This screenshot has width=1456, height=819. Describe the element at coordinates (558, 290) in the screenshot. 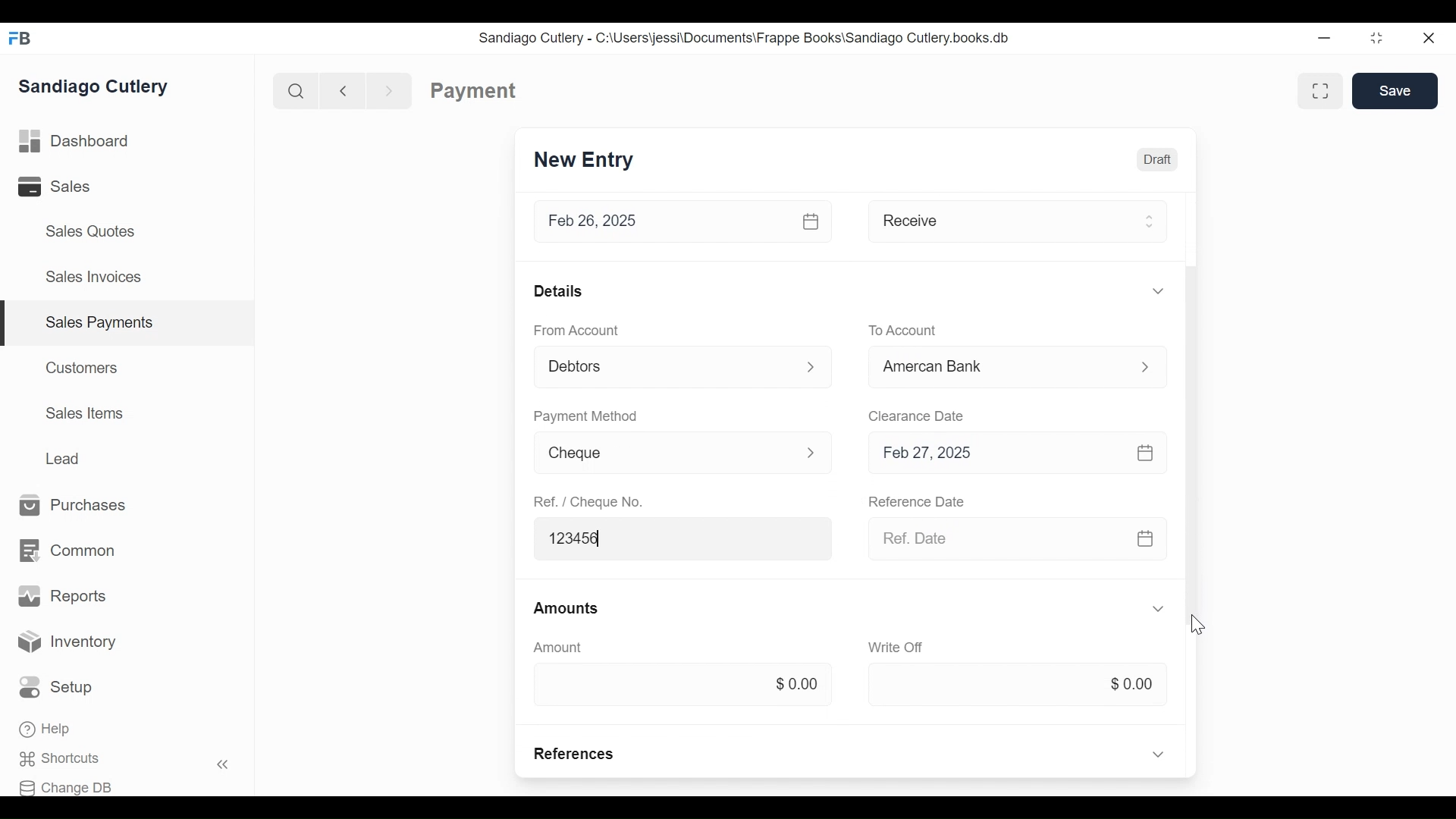

I see `Details` at that location.